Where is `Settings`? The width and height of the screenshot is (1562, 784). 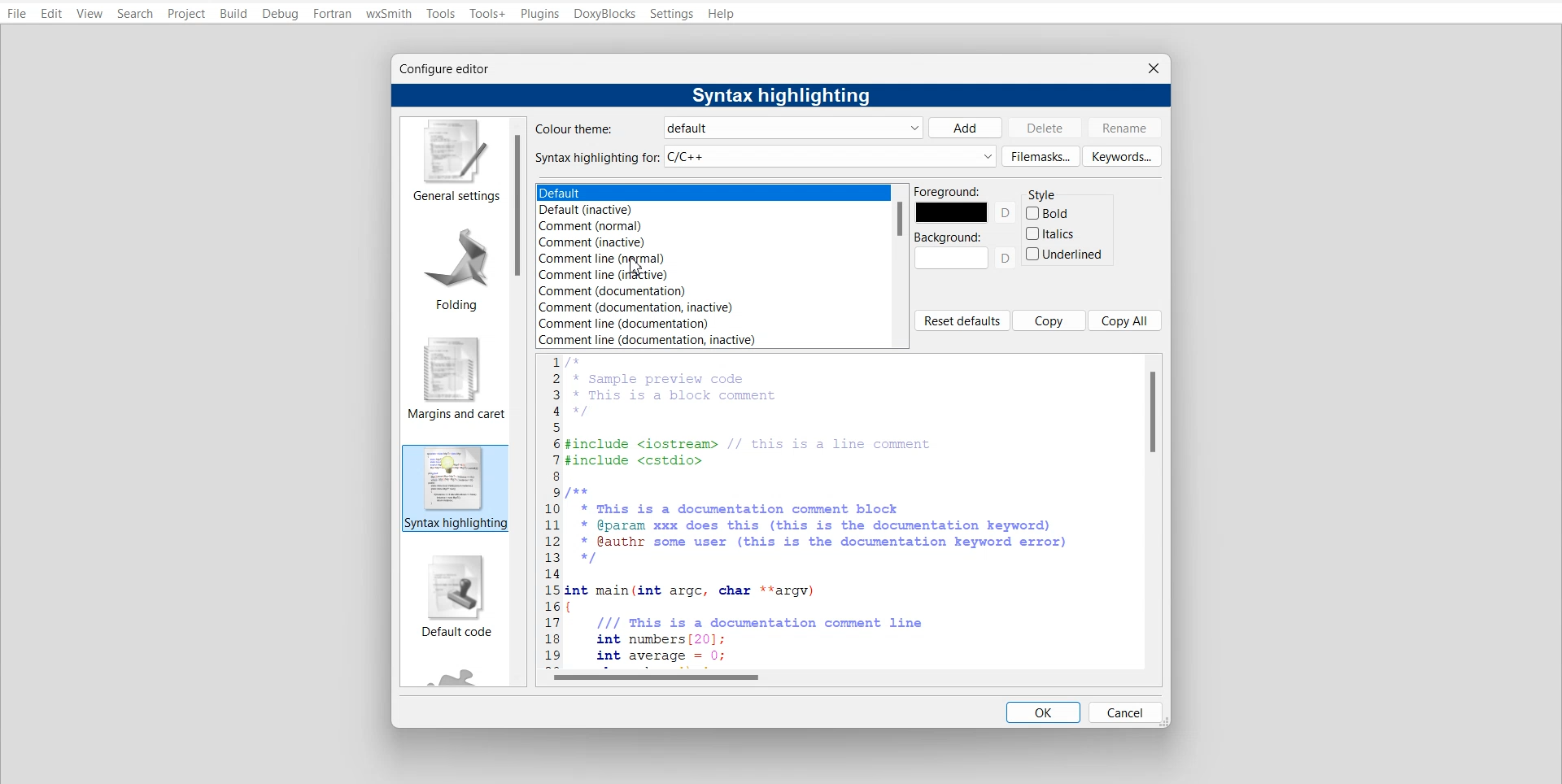
Settings is located at coordinates (672, 14).